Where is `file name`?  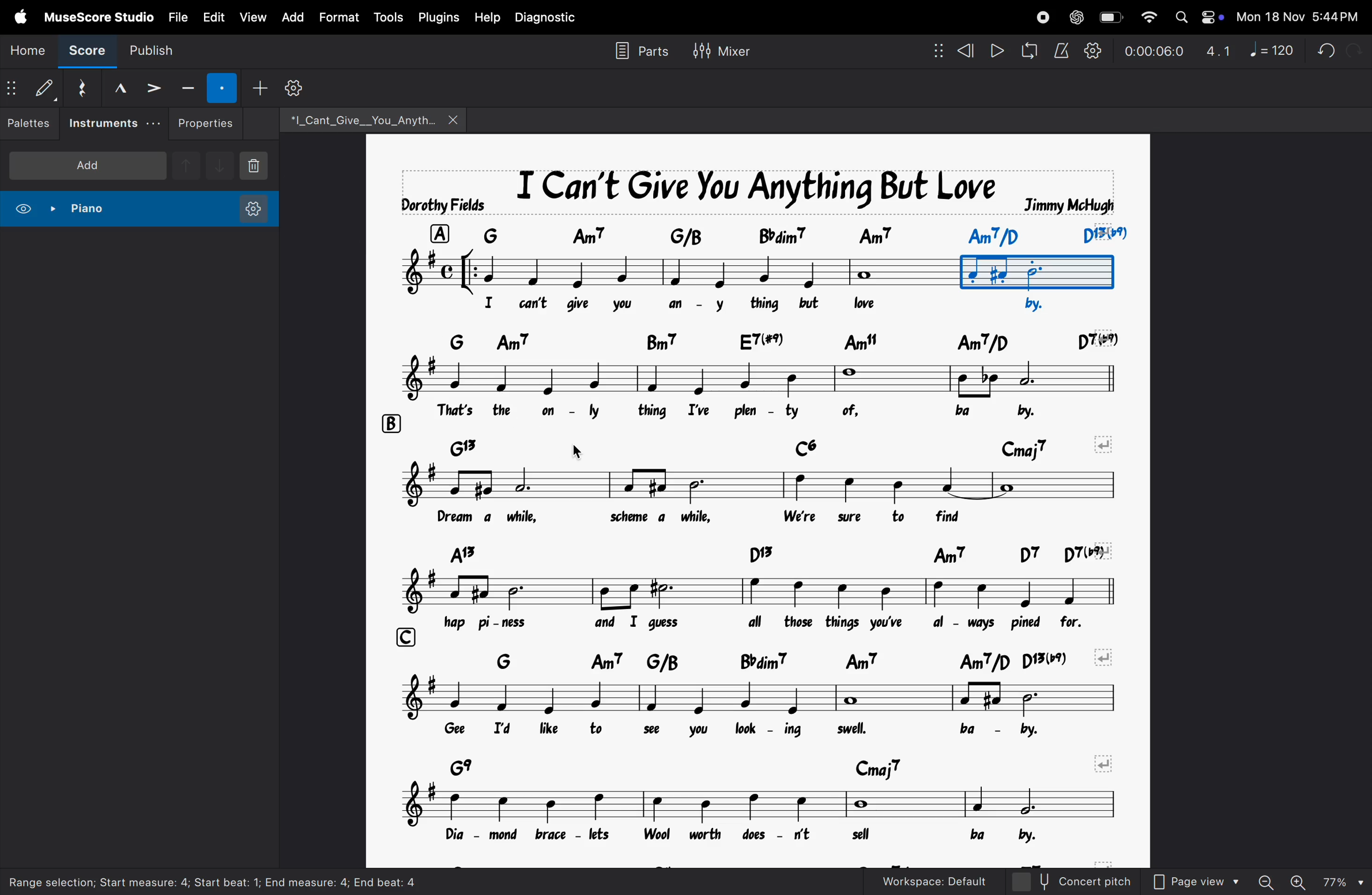
file name is located at coordinates (372, 122).